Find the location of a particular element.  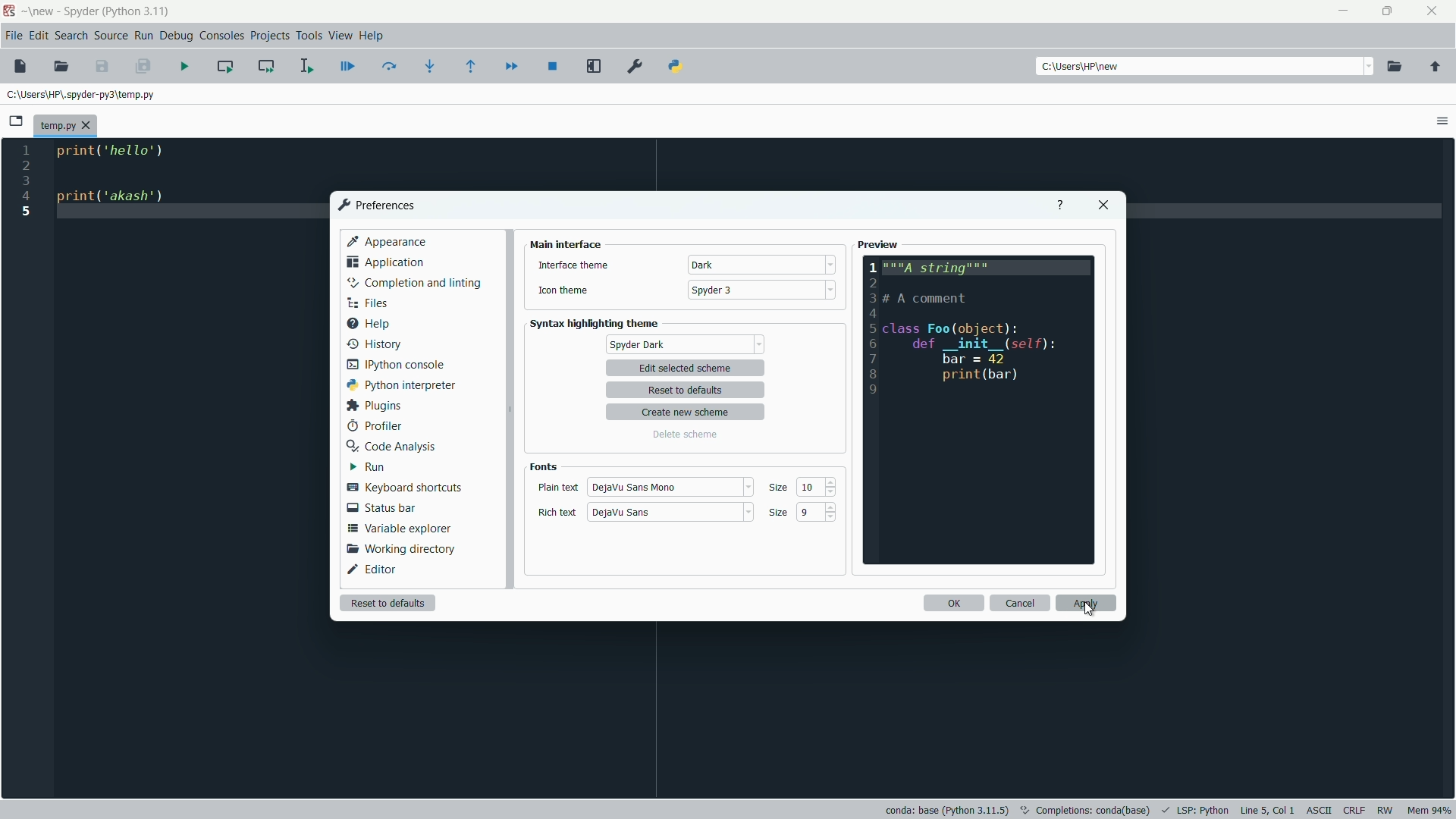

text is located at coordinates (1087, 808).